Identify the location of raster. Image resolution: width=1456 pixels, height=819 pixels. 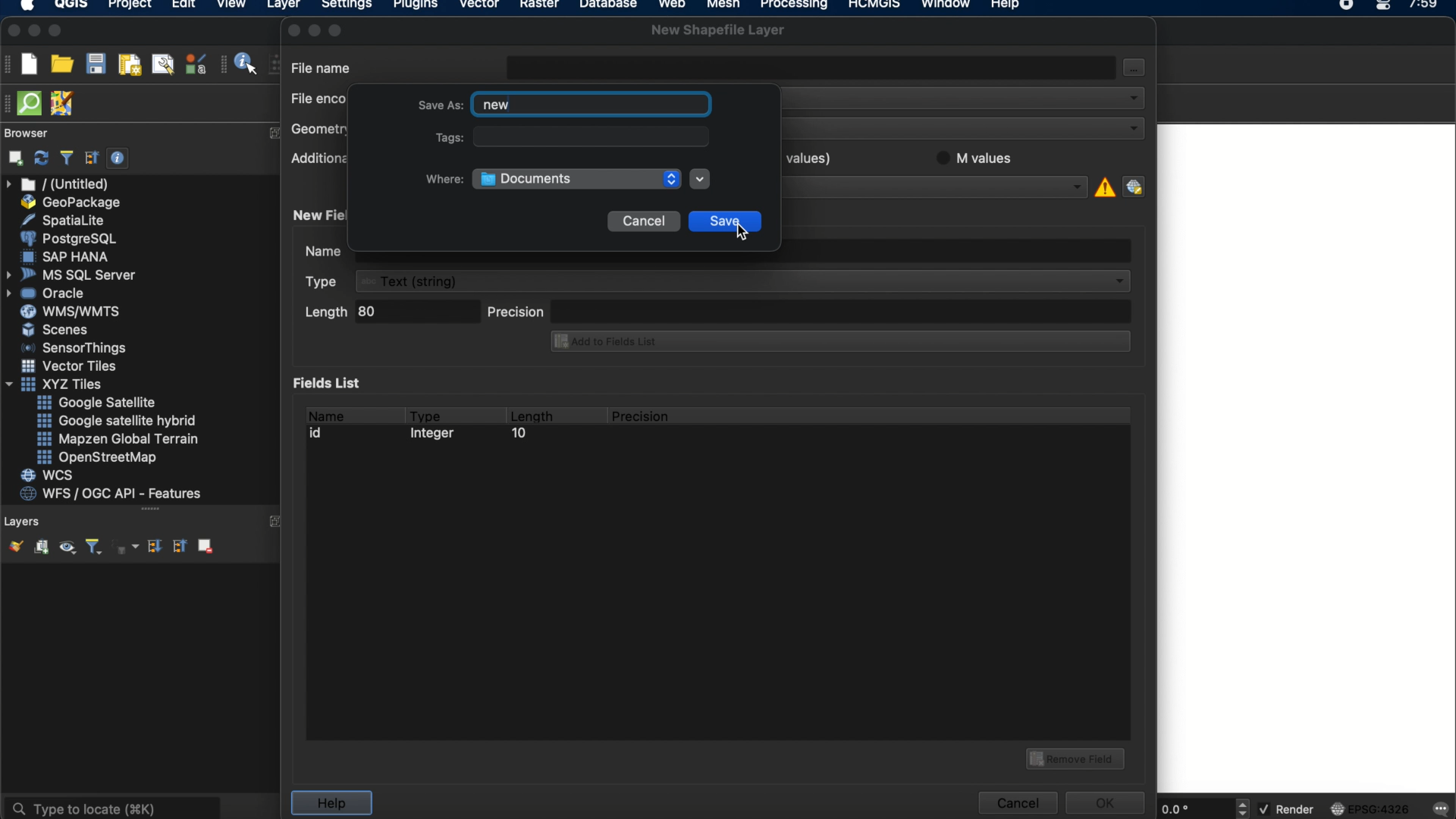
(538, 6).